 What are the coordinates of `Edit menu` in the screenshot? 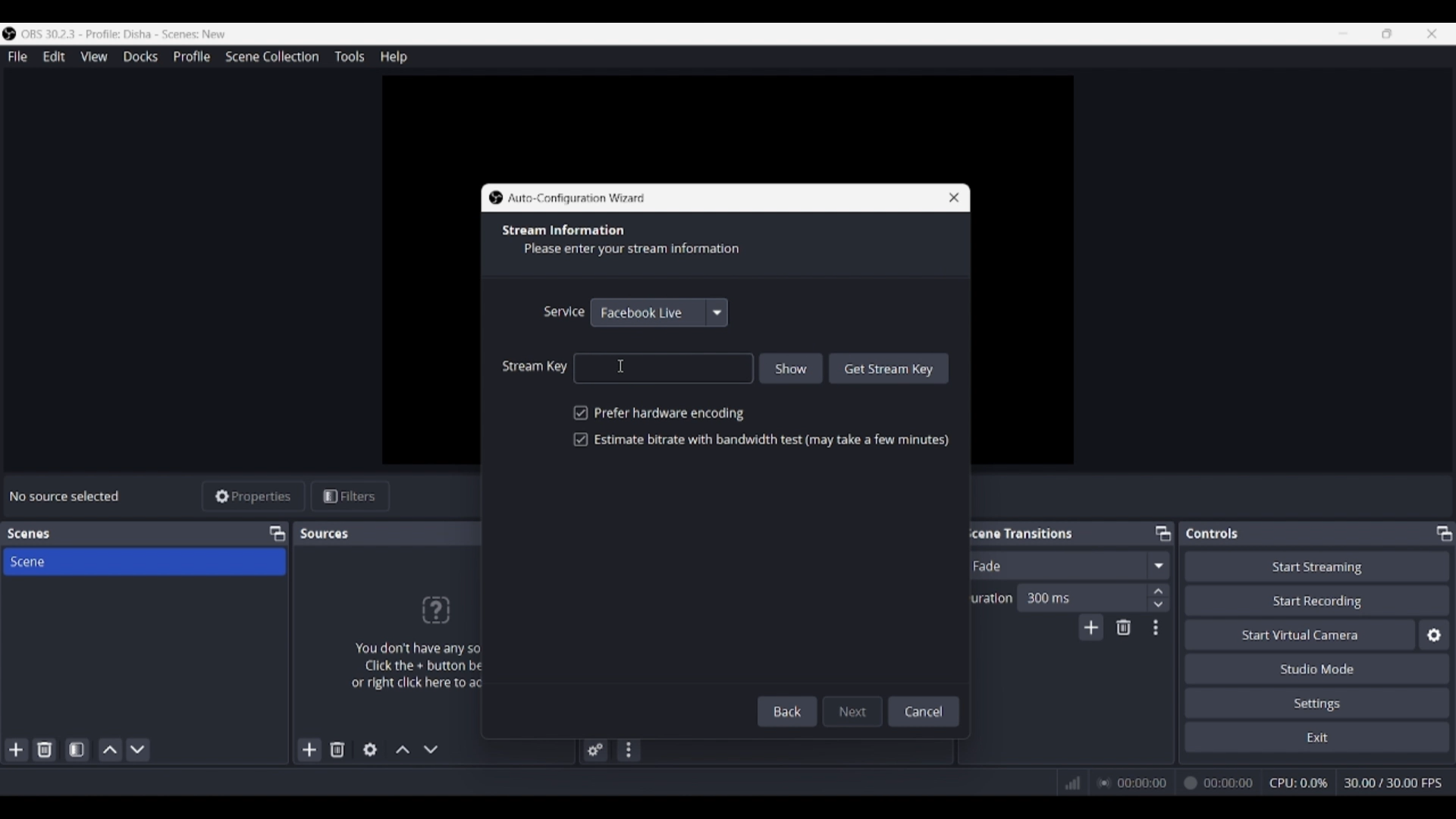 It's located at (53, 57).